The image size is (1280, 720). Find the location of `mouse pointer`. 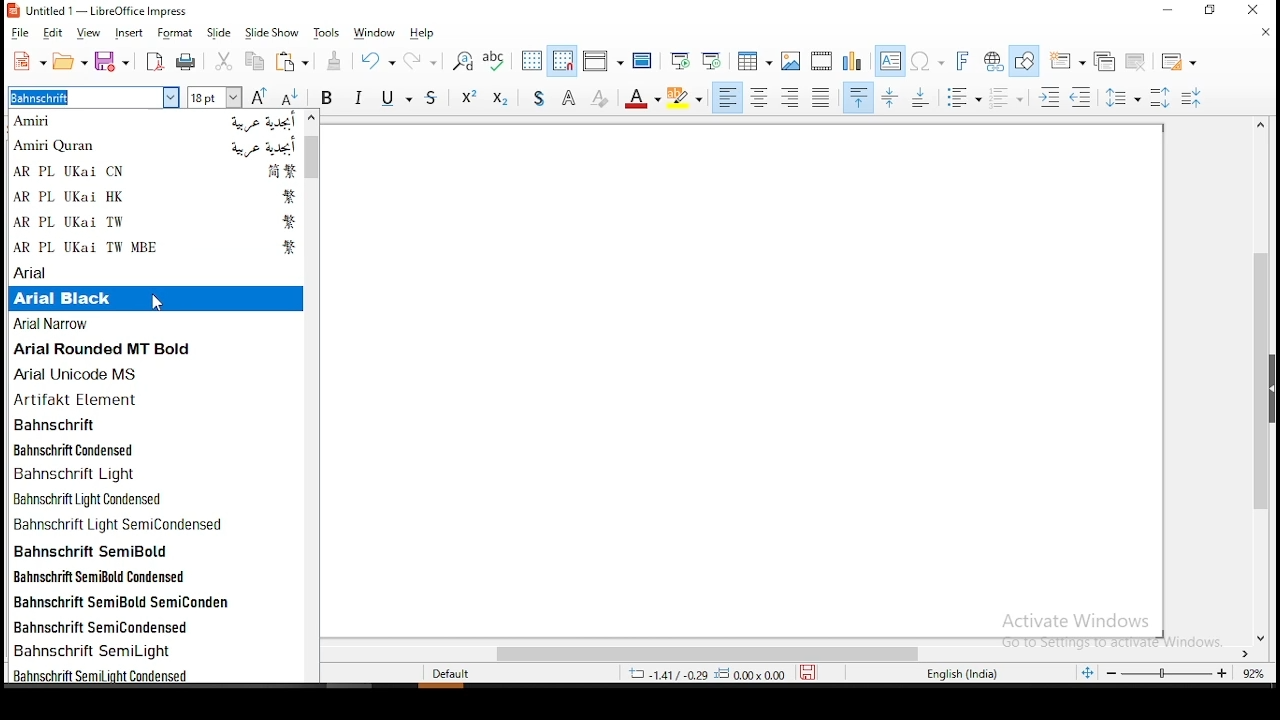

mouse pointer is located at coordinates (158, 305).